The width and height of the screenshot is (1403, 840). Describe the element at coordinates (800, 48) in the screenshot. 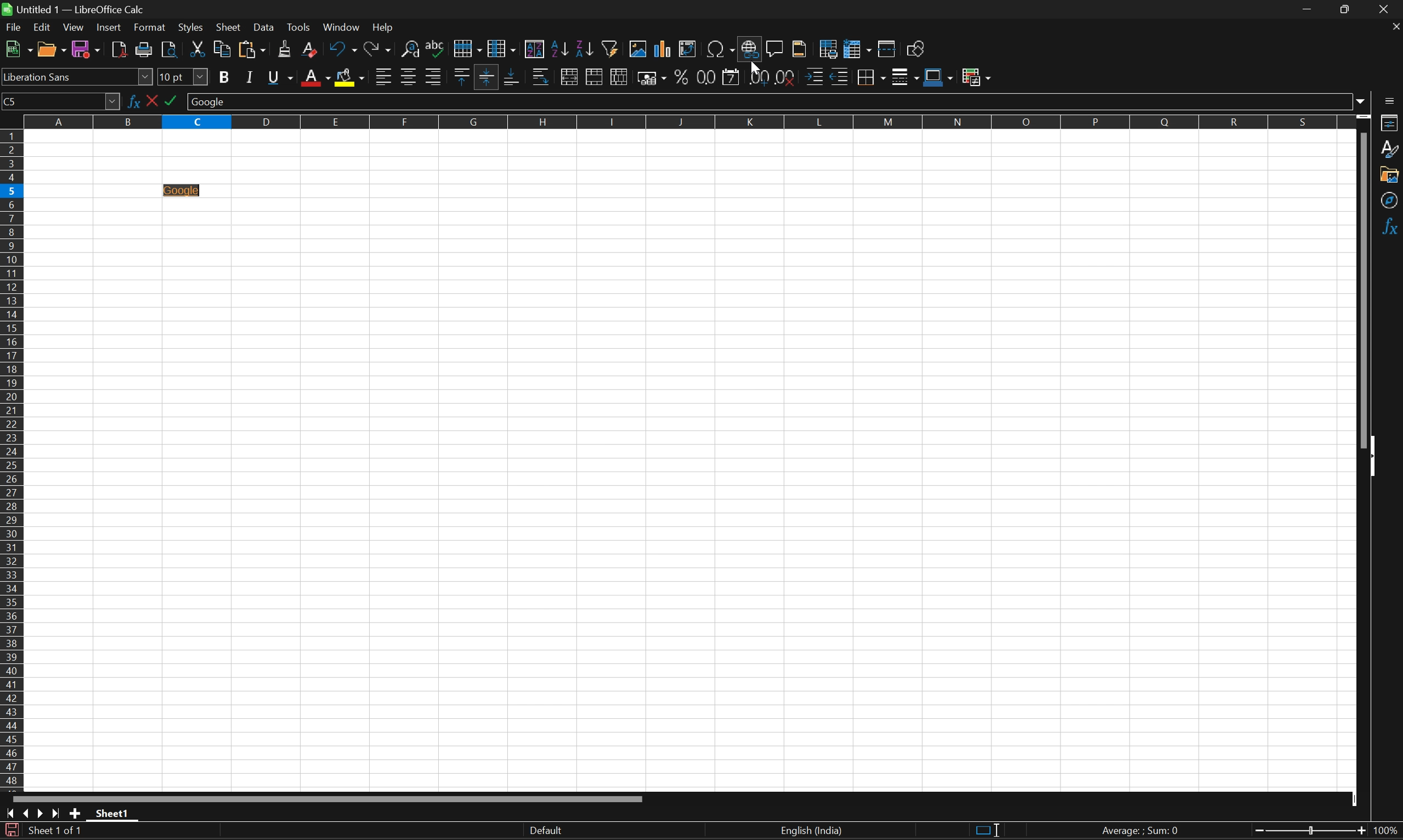

I see `Headers and footers` at that location.